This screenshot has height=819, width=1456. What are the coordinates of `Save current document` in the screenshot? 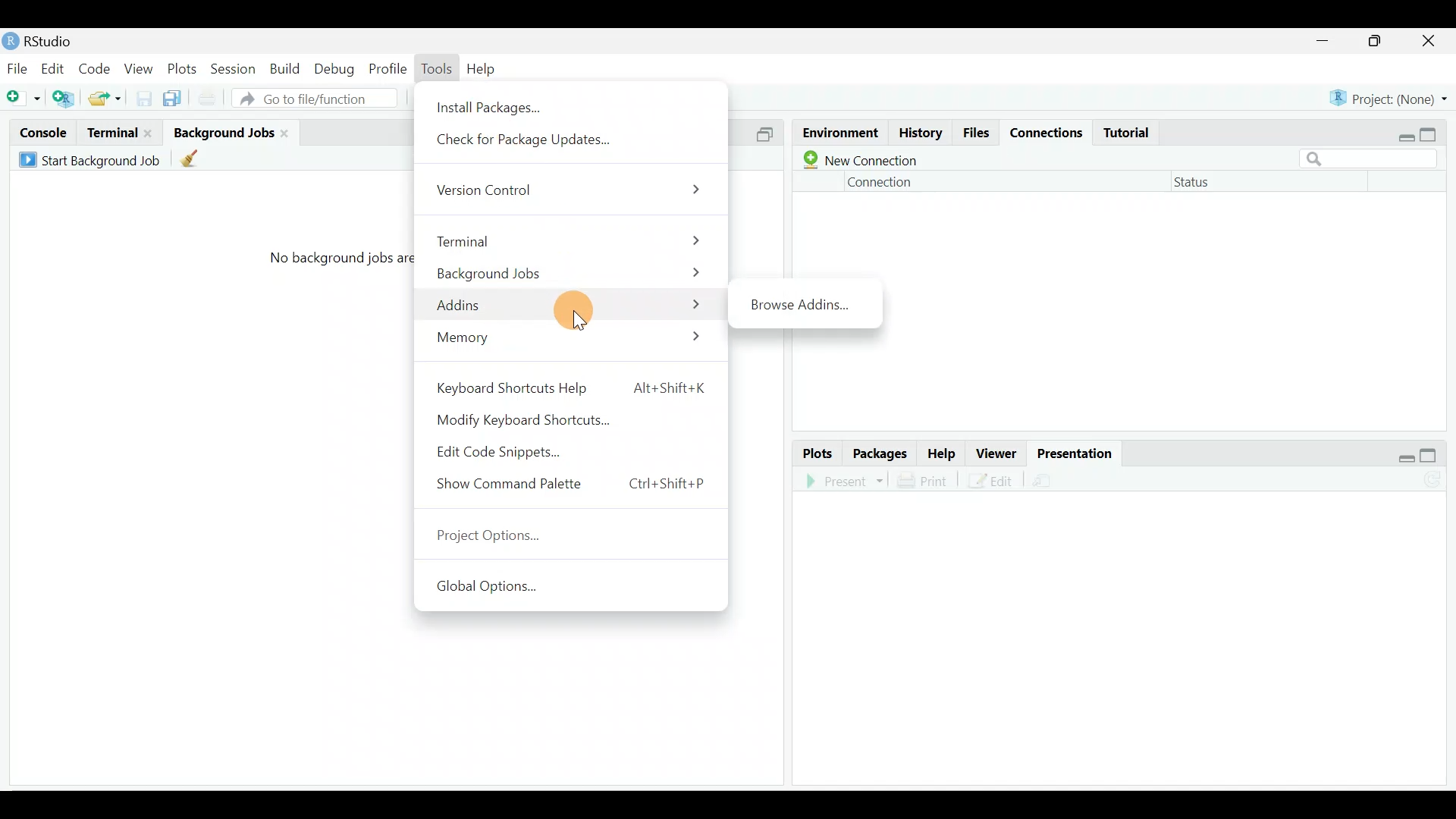 It's located at (140, 100).